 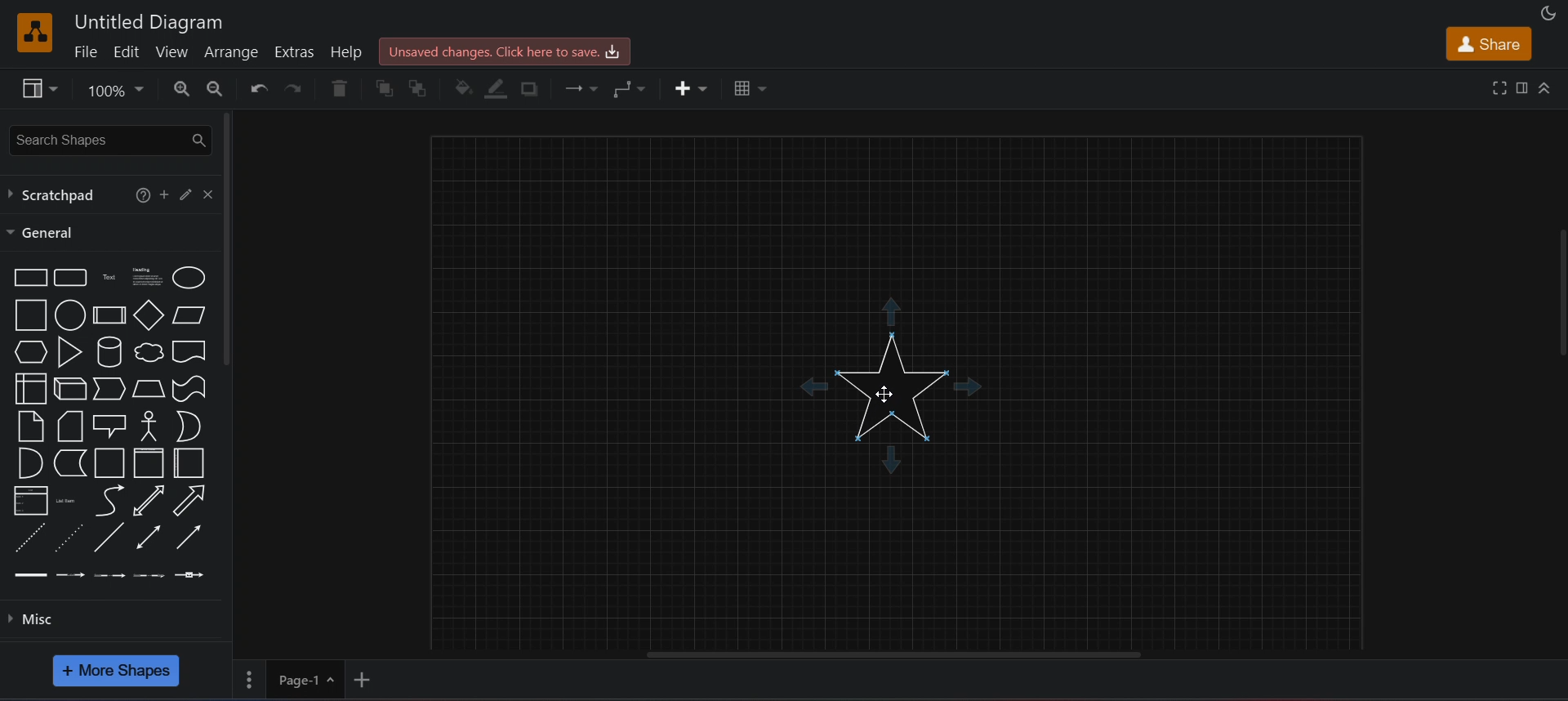 What do you see at coordinates (70, 314) in the screenshot?
I see `circle` at bounding box center [70, 314].